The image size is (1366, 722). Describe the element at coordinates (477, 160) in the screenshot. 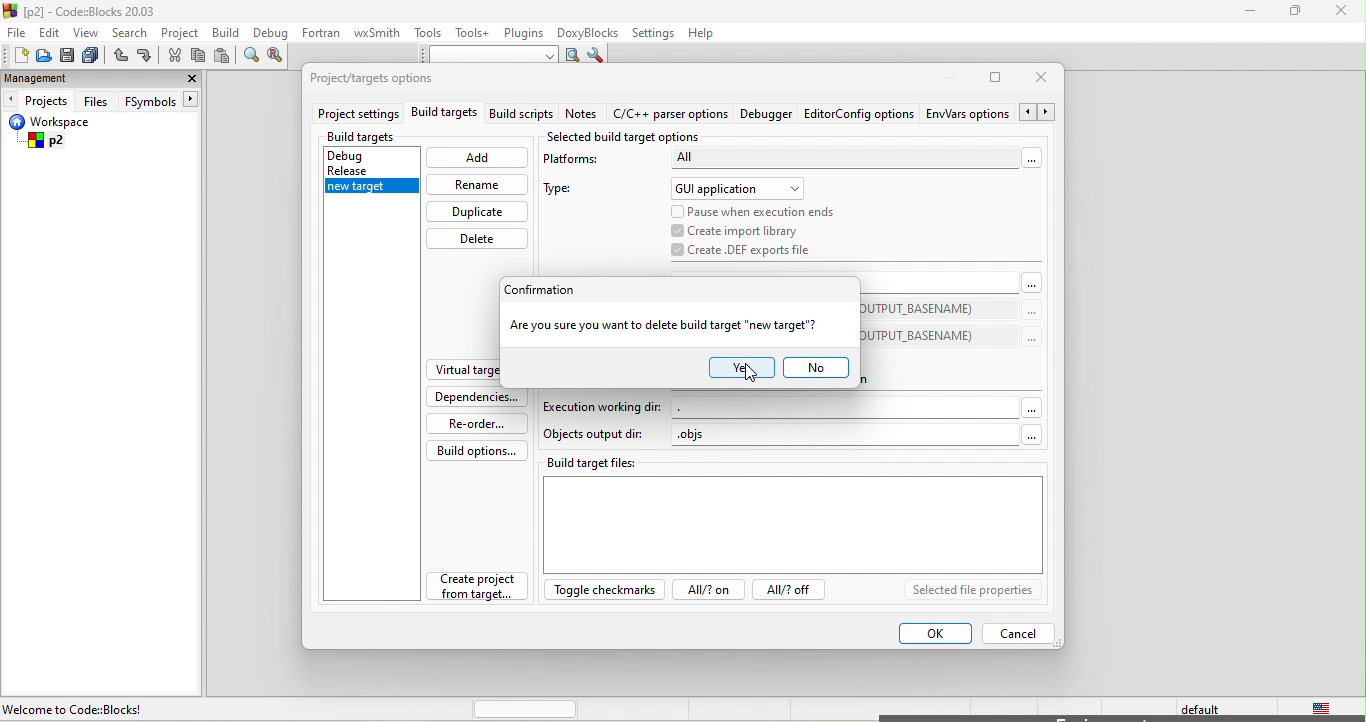

I see `add` at that location.